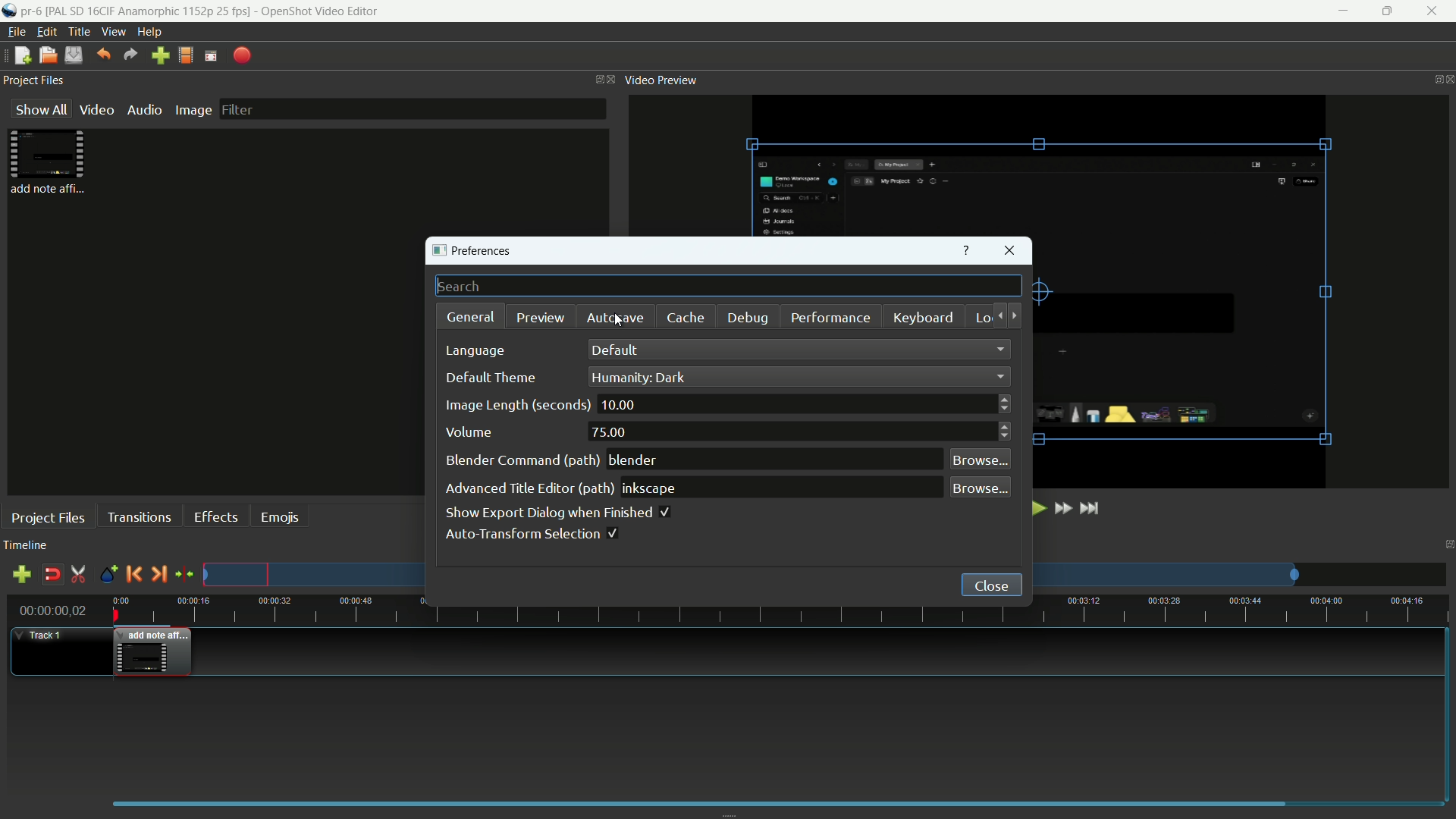 This screenshot has width=1456, height=819. Describe the element at coordinates (1450, 80) in the screenshot. I see `close video preview` at that location.